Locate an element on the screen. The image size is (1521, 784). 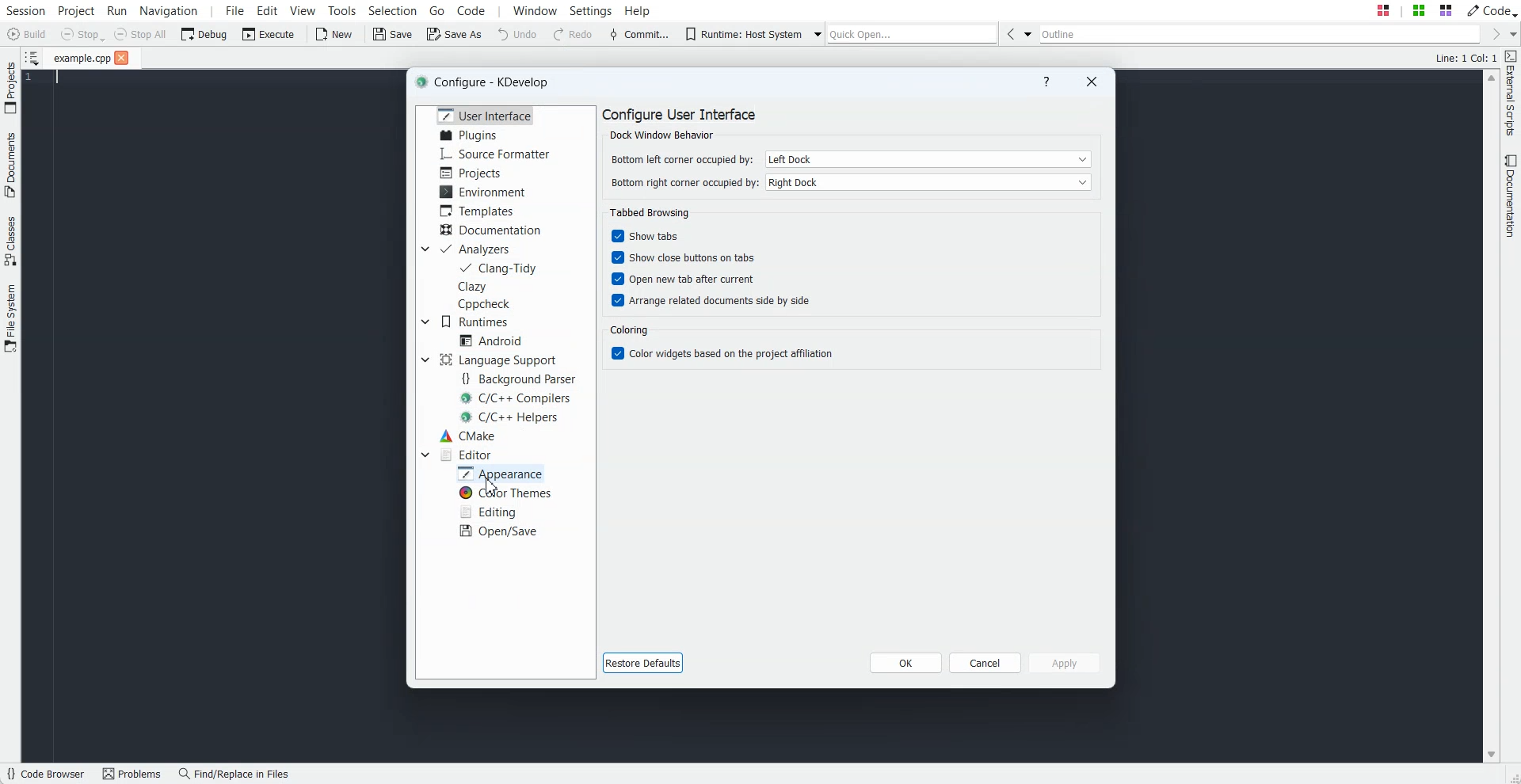
Runtime: Host System is located at coordinates (741, 34).